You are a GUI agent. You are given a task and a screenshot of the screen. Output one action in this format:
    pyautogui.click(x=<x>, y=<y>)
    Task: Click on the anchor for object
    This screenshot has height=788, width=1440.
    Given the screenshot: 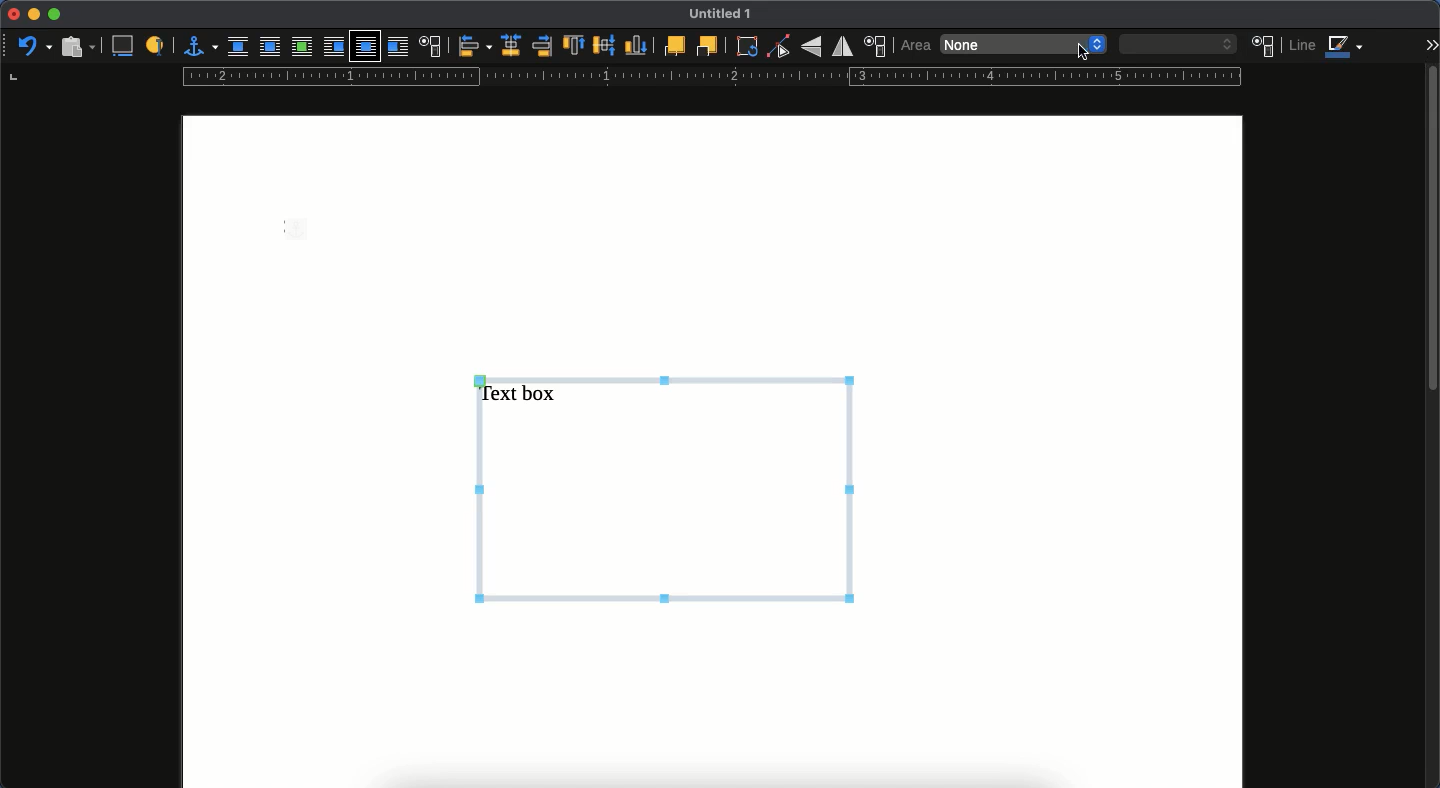 What is the action you would take?
    pyautogui.click(x=200, y=45)
    